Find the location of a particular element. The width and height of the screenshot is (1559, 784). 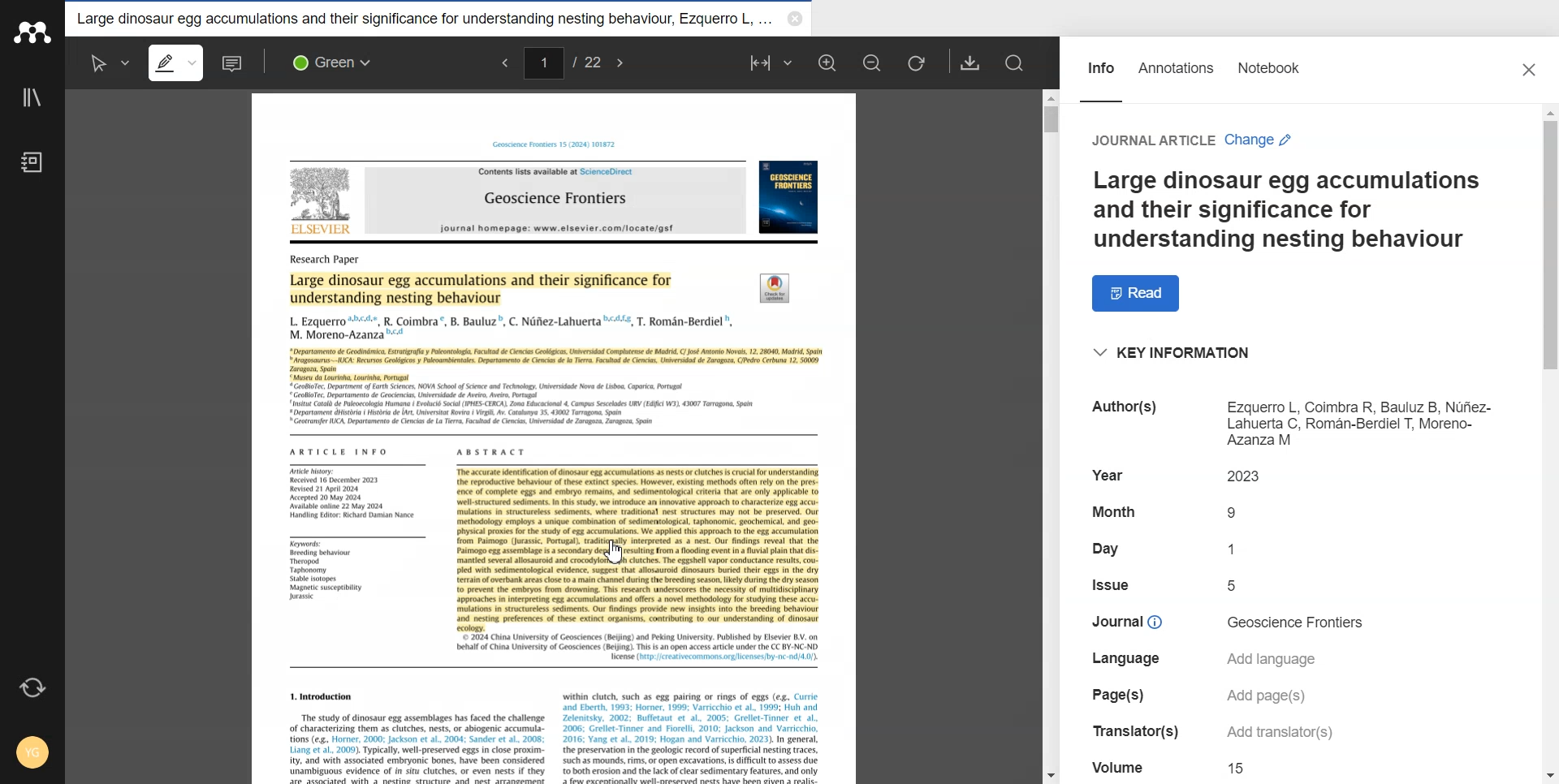

Highlight text is located at coordinates (179, 62).